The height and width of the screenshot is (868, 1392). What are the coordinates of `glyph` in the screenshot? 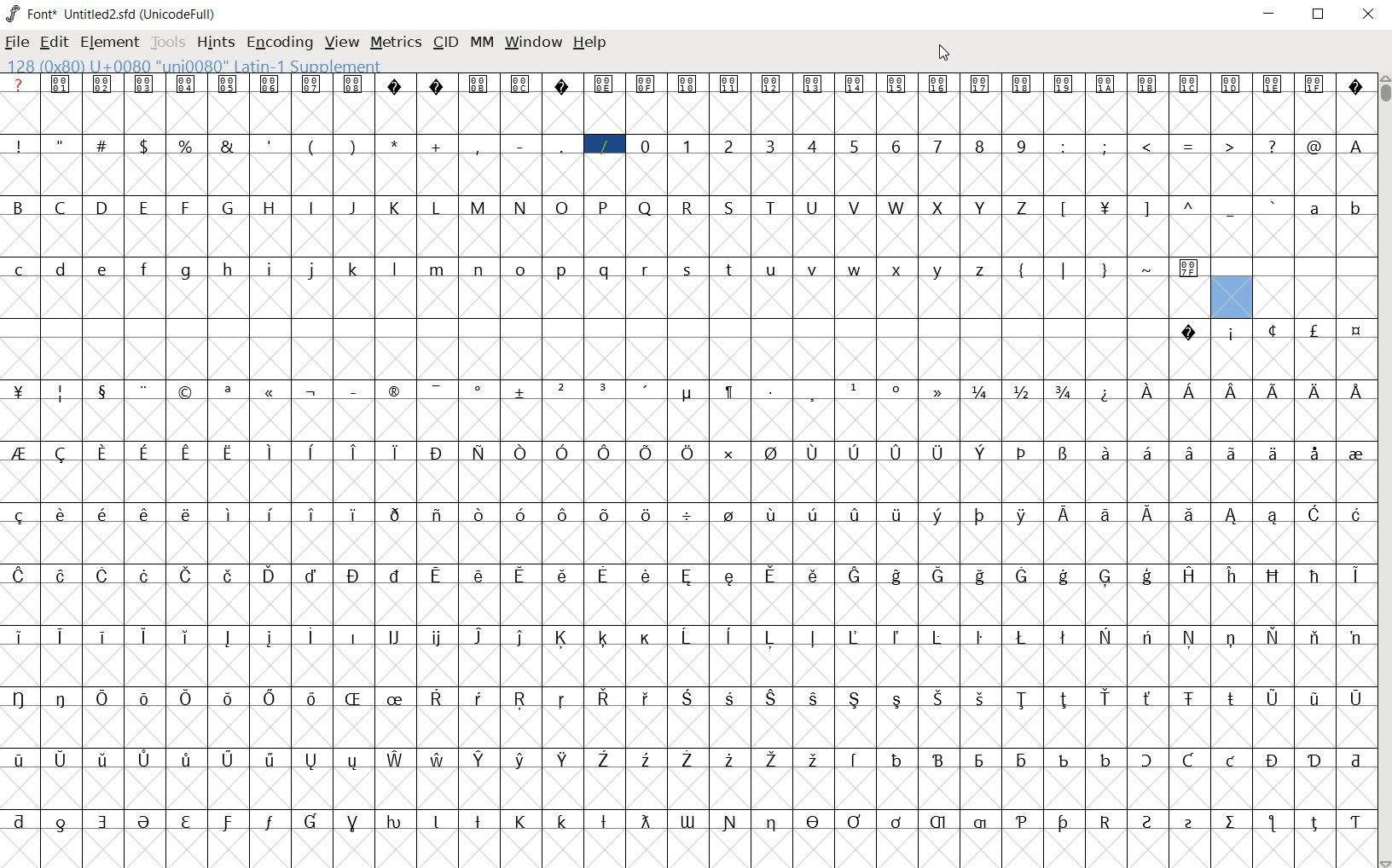 It's located at (772, 761).